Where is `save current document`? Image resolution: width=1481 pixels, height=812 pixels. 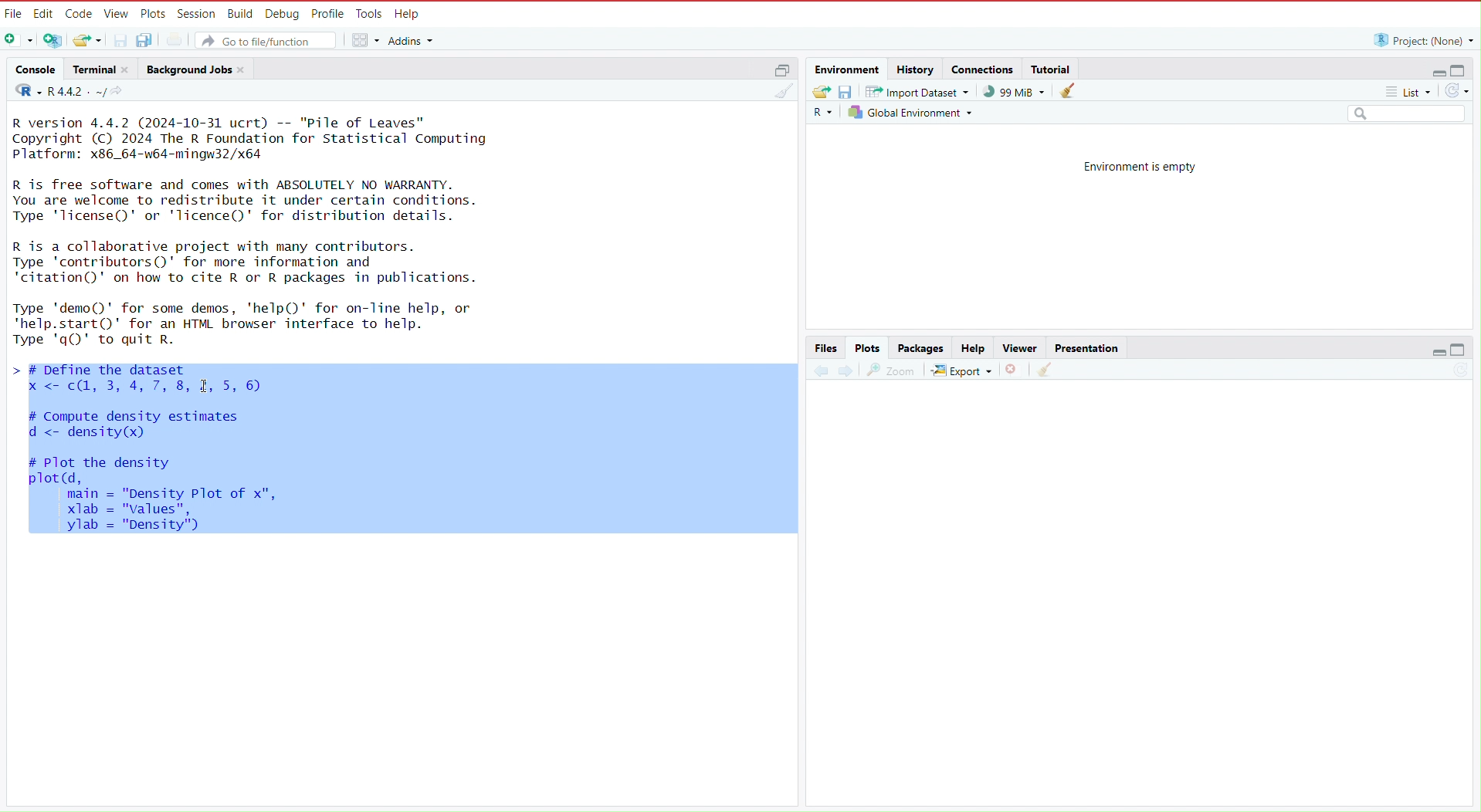 save current document is located at coordinates (121, 40).